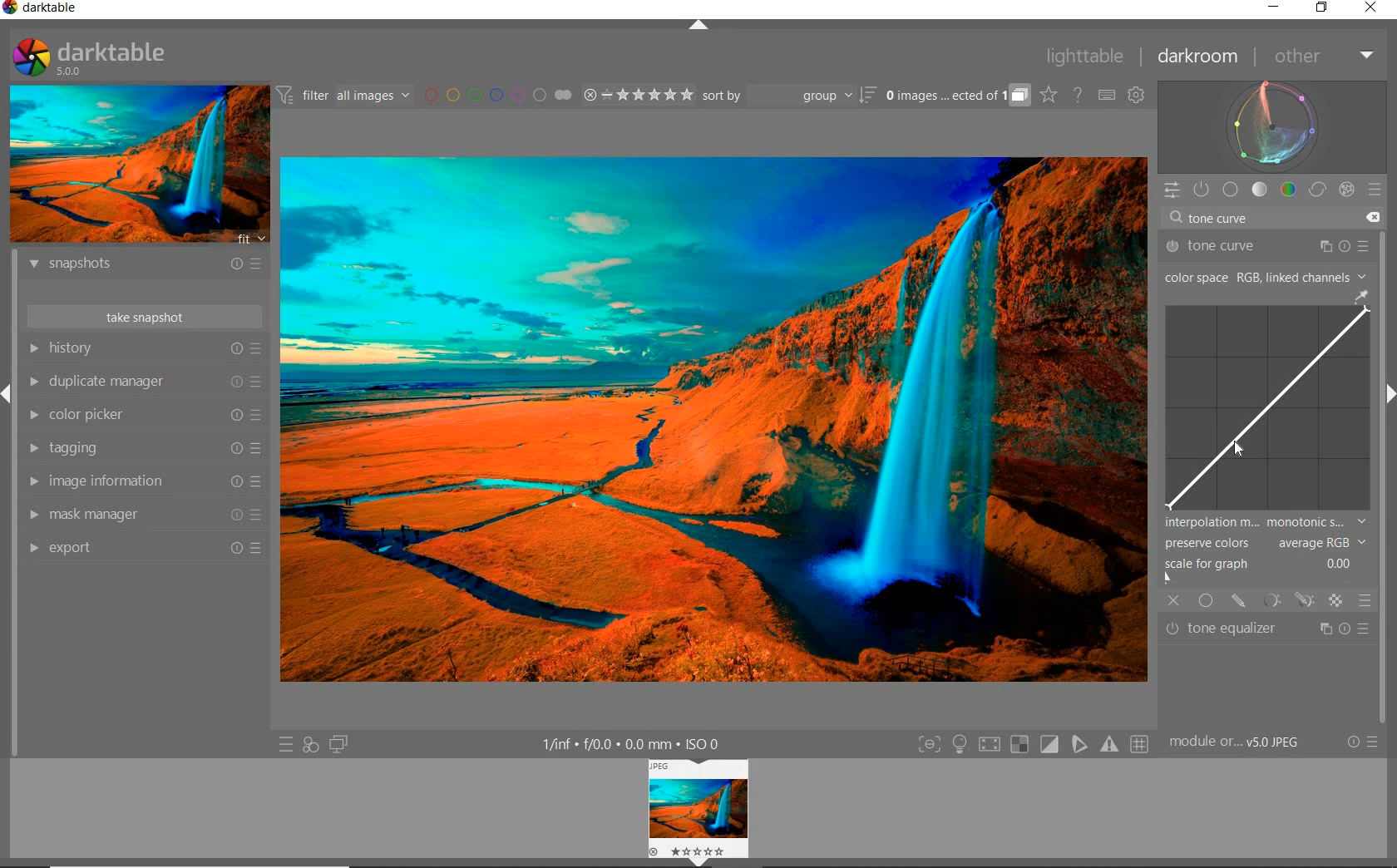  Describe the element at coordinates (1198, 57) in the screenshot. I see `darkroom` at that location.